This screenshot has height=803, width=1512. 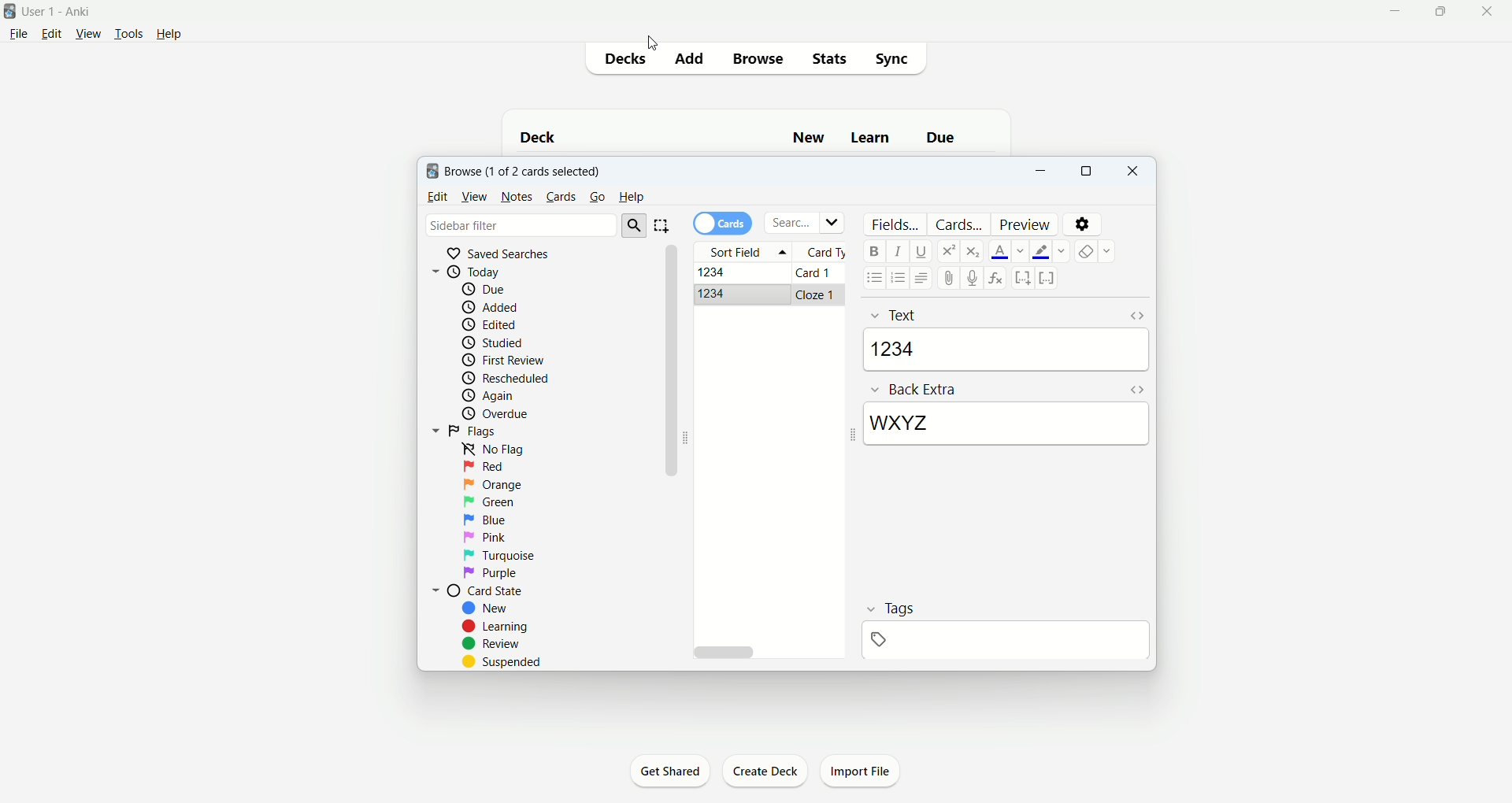 What do you see at coordinates (899, 277) in the screenshot?
I see `ordered list` at bounding box center [899, 277].